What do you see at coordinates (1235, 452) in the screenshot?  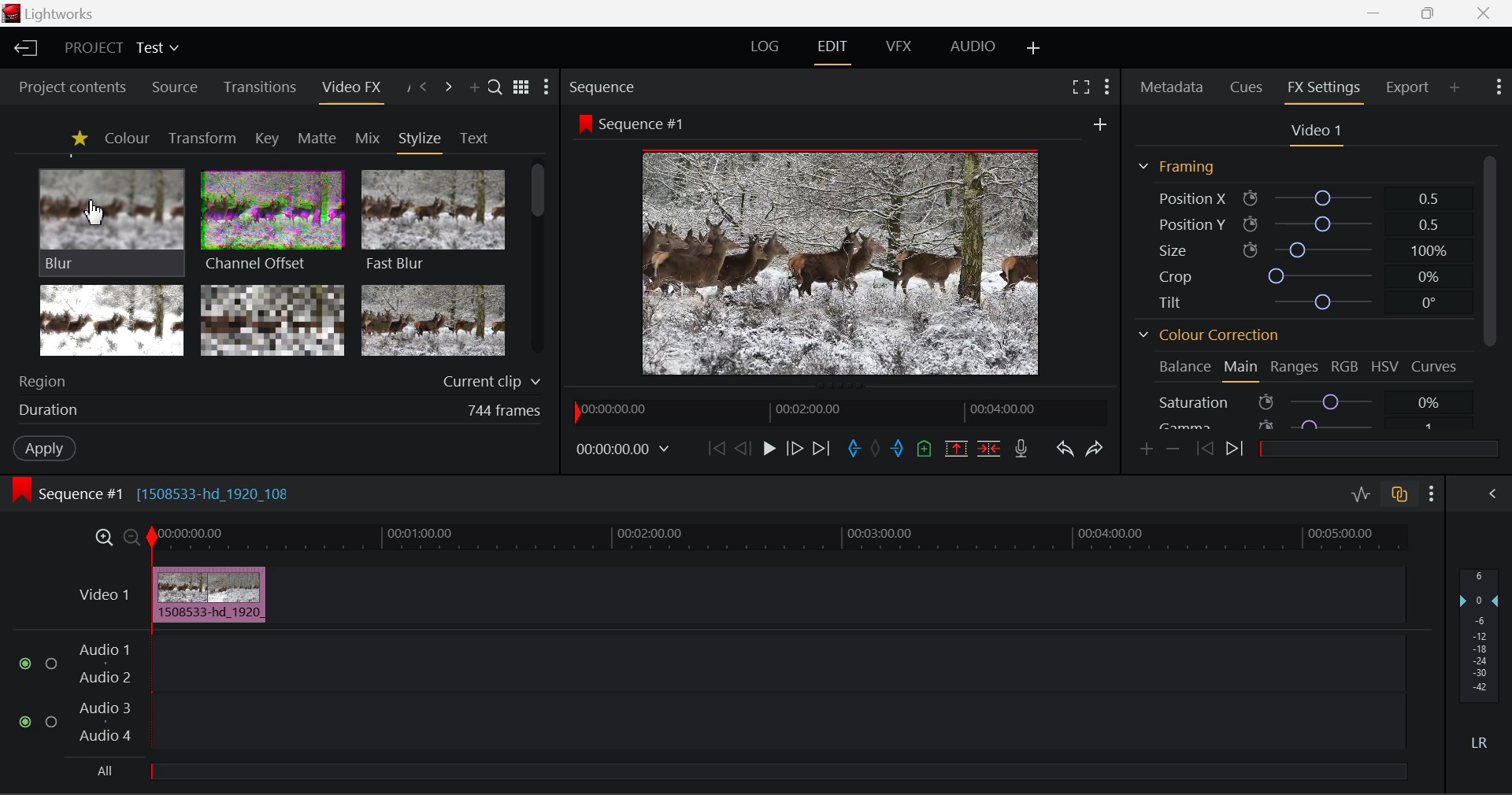 I see `Next keyframe` at bounding box center [1235, 452].